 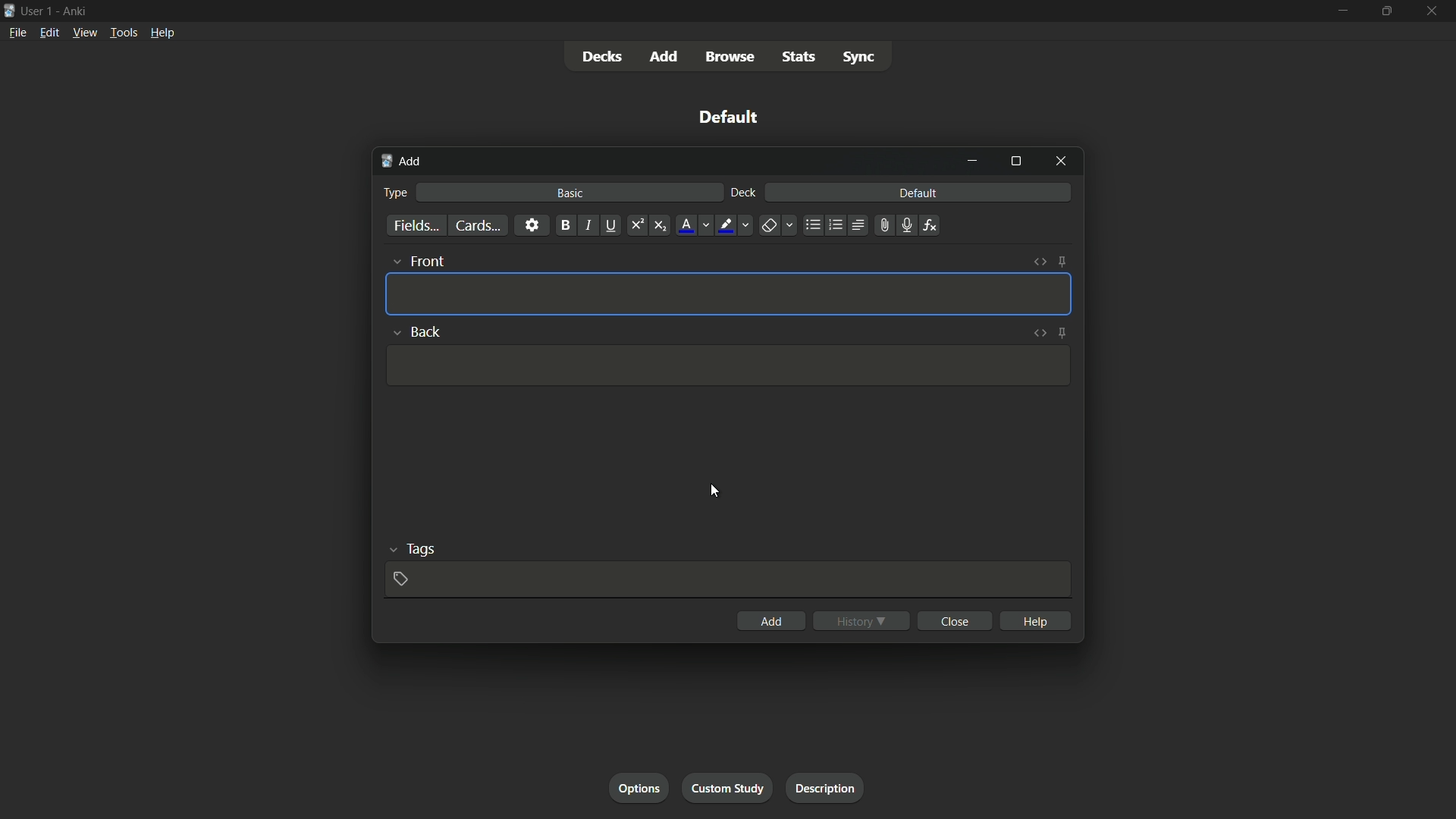 I want to click on browse, so click(x=730, y=57).